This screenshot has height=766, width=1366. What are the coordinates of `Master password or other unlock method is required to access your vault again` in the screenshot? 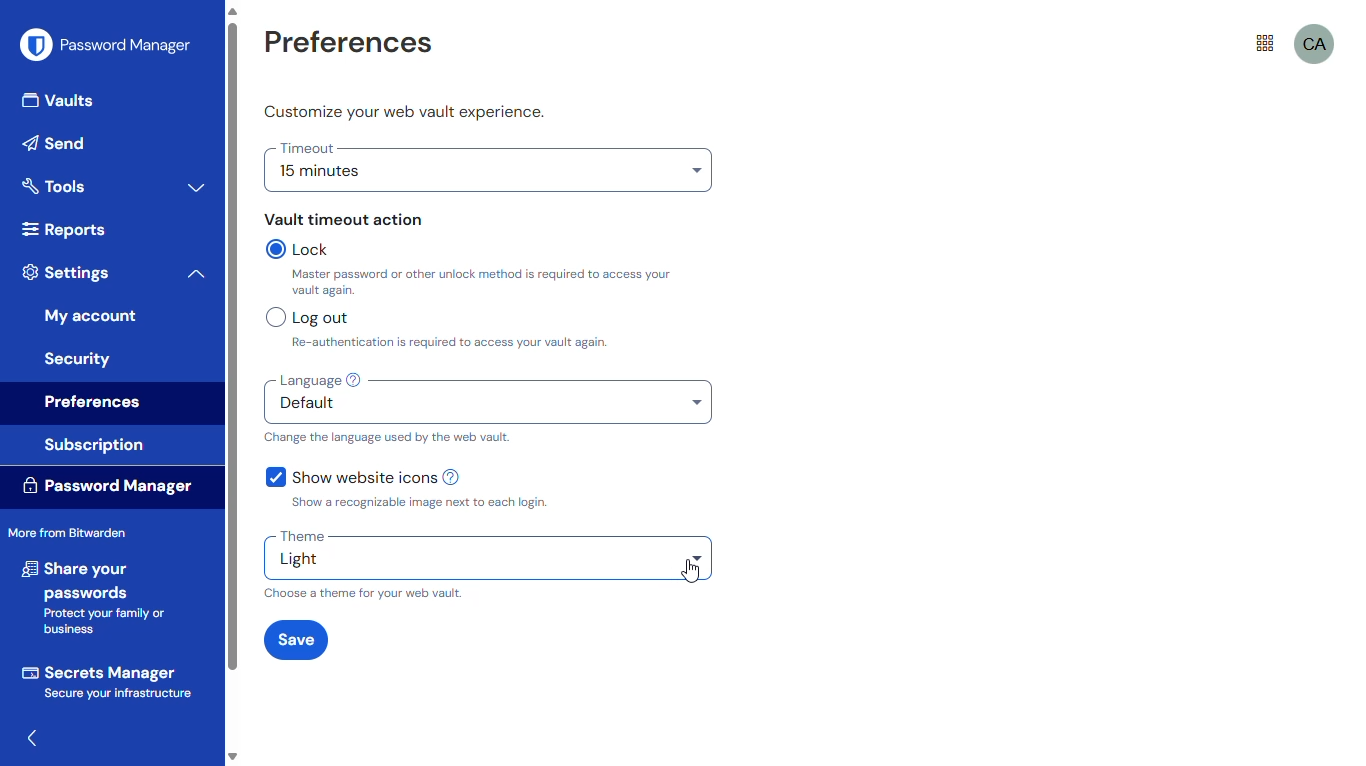 It's located at (489, 283).